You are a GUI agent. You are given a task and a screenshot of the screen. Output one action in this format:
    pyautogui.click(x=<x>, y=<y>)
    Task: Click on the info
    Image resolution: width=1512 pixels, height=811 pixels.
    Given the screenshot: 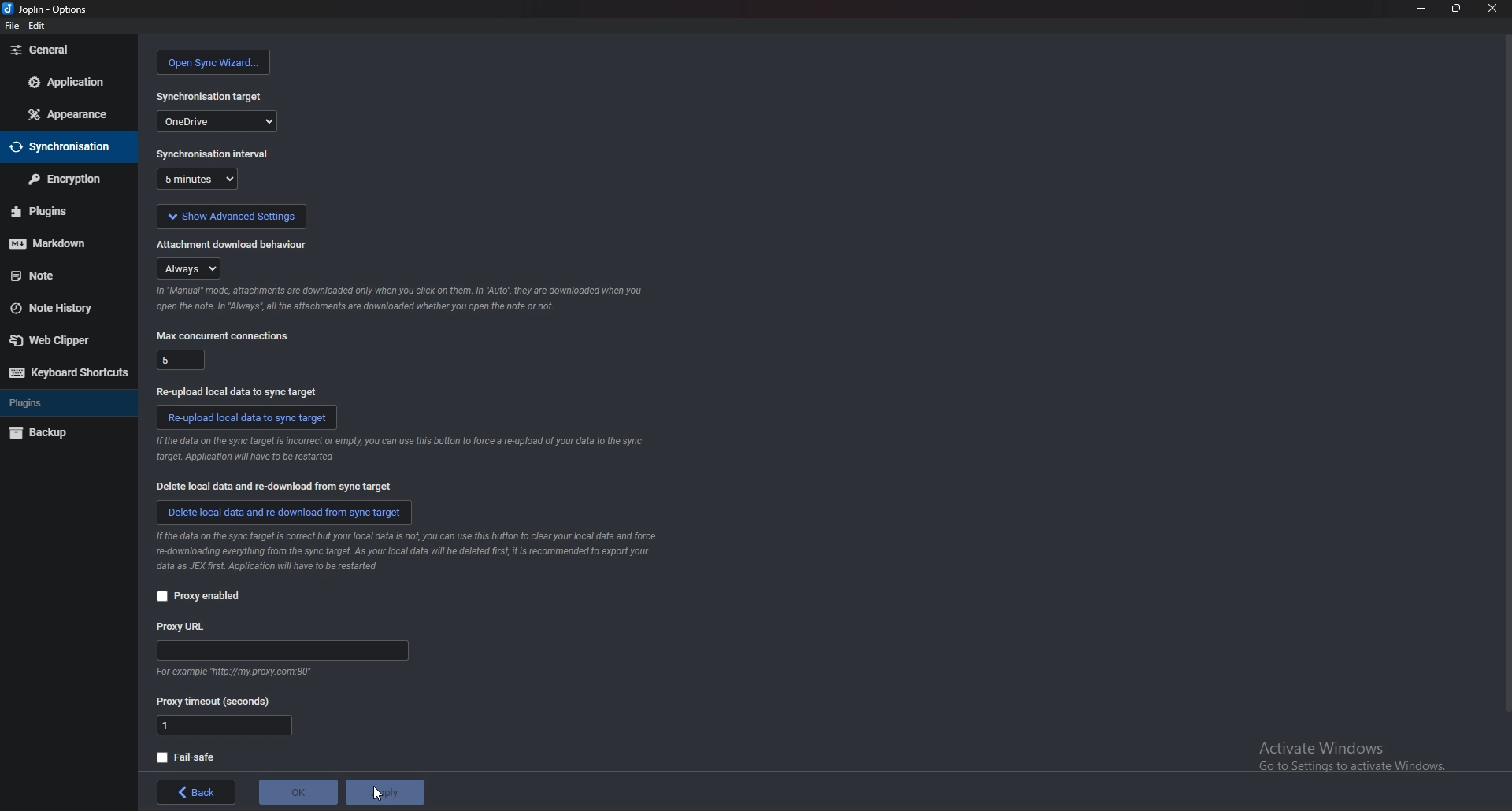 What is the action you would take?
    pyautogui.click(x=241, y=672)
    